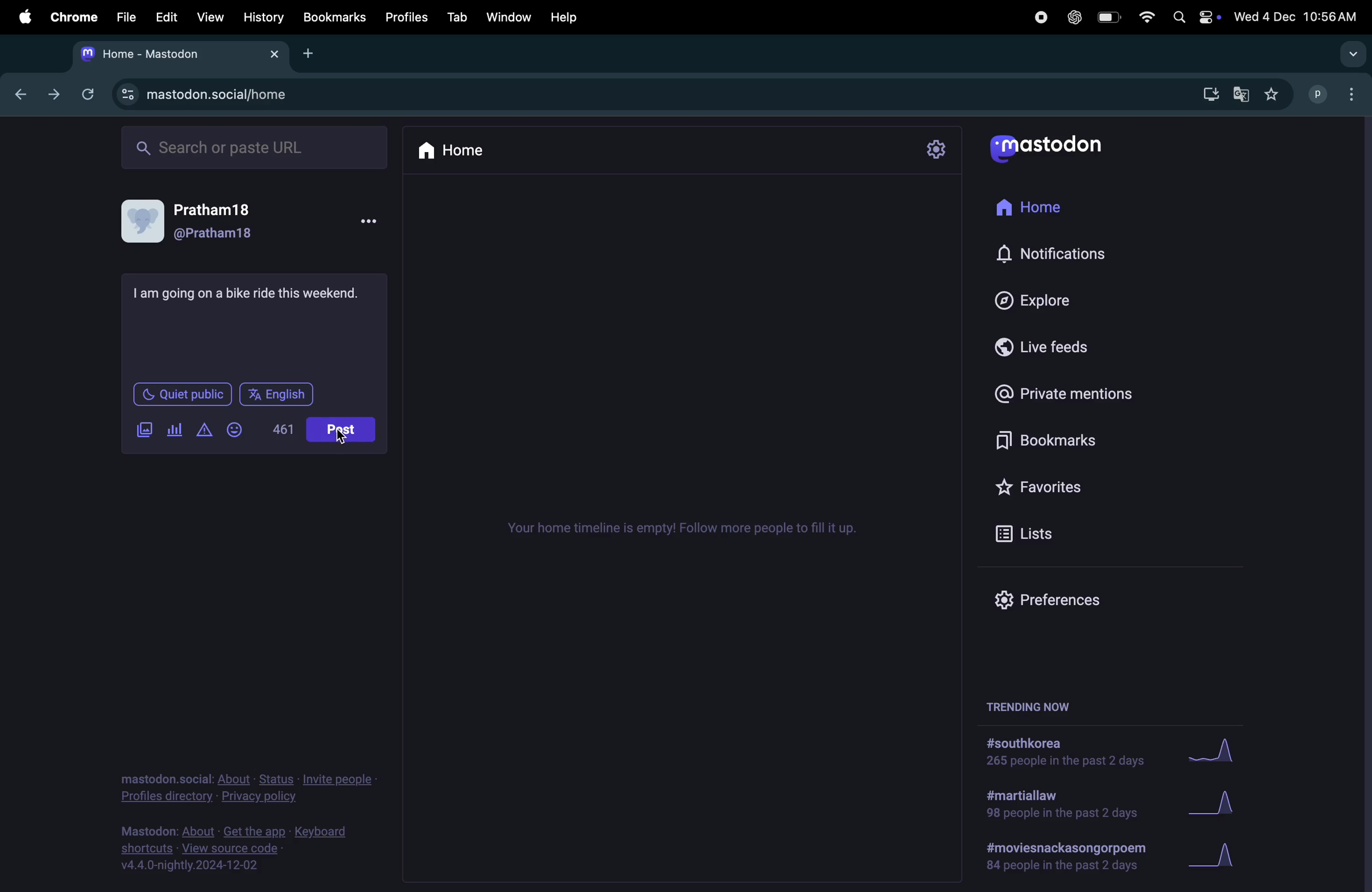  Describe the element at coordinates (258, 292) in the screenshot. I see `` at that location.